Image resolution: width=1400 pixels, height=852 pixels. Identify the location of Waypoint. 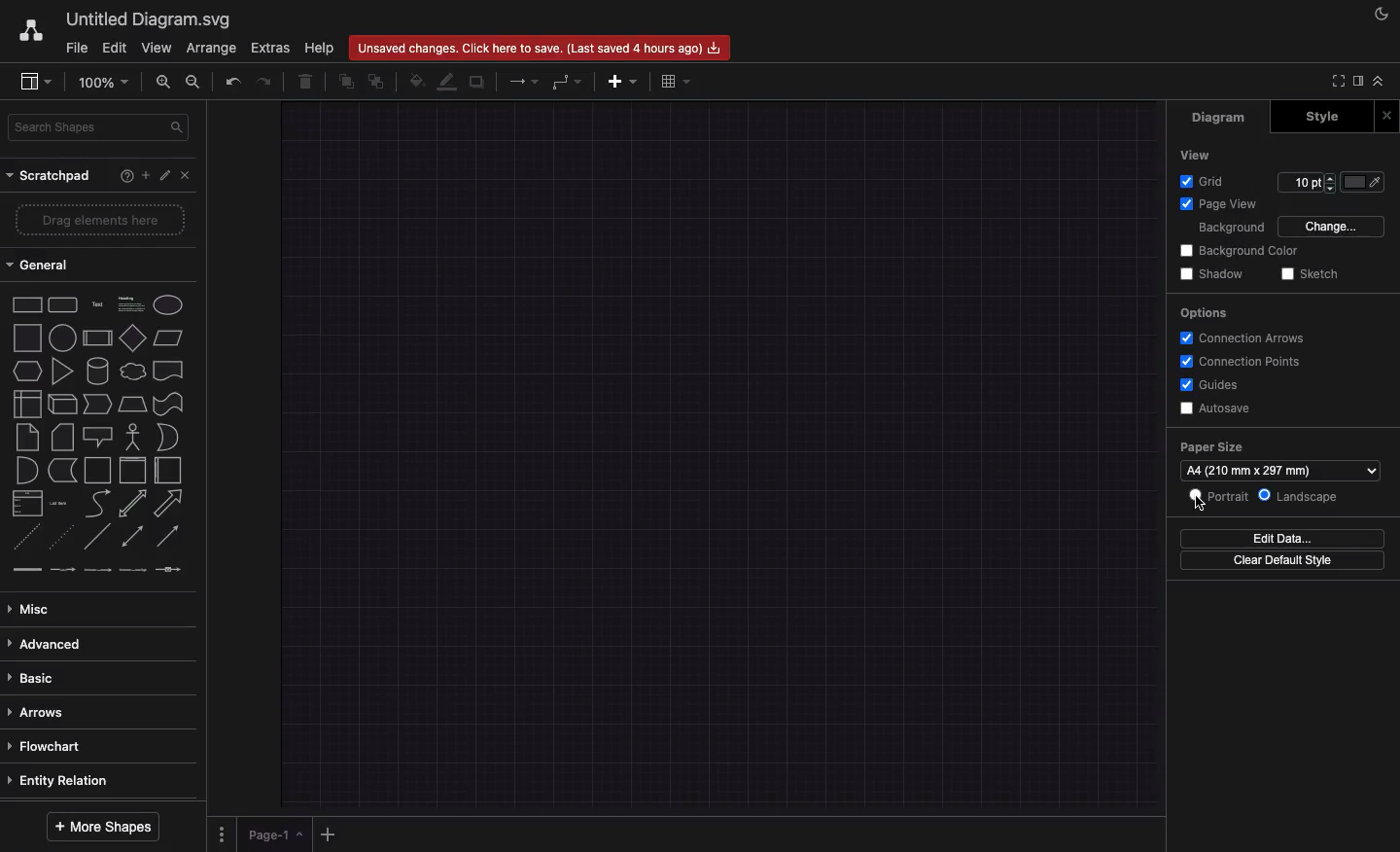
(566, 85).